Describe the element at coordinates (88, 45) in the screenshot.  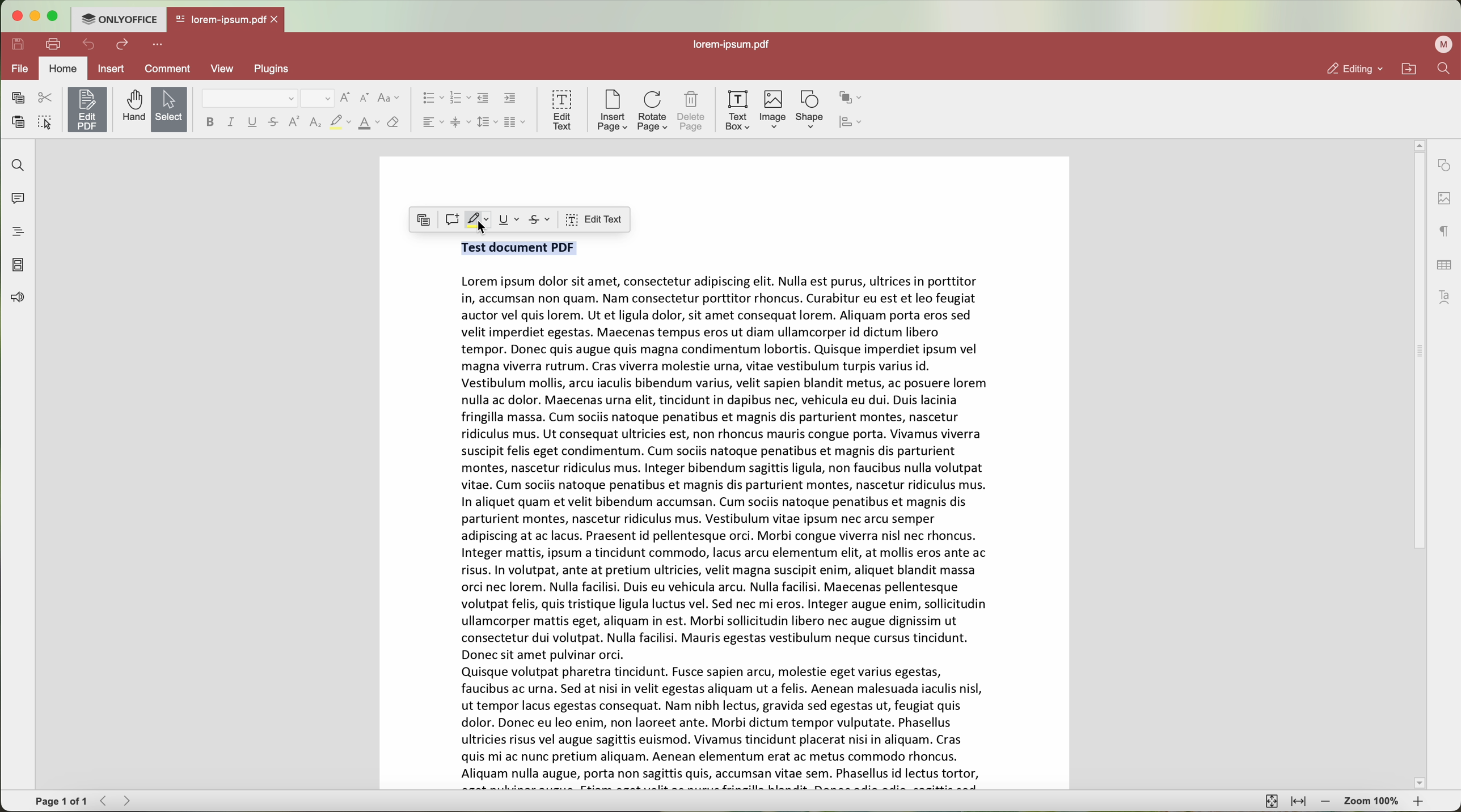
I see `undo` at that location.